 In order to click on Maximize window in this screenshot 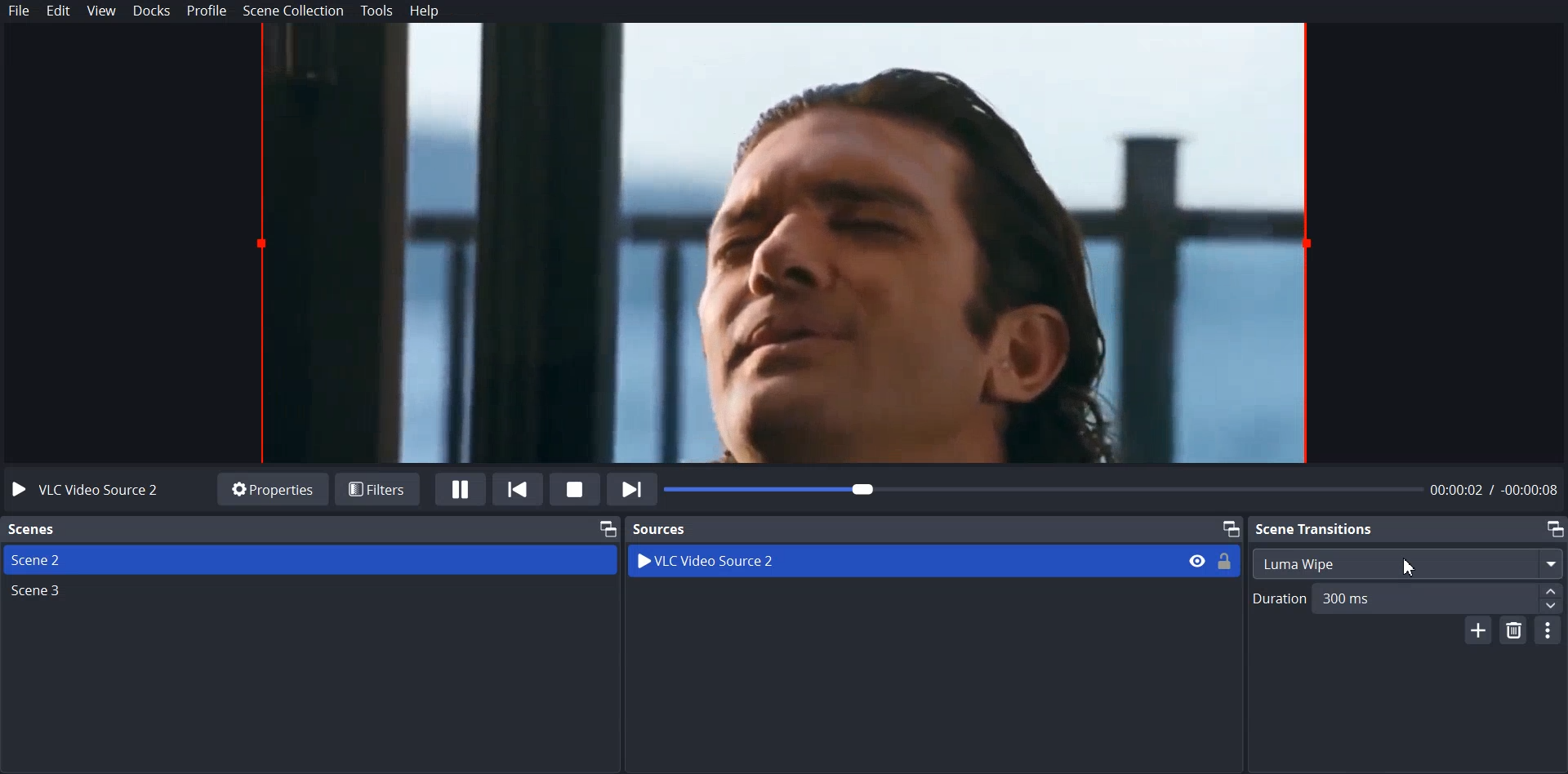, I will do `click(606, 527)`.